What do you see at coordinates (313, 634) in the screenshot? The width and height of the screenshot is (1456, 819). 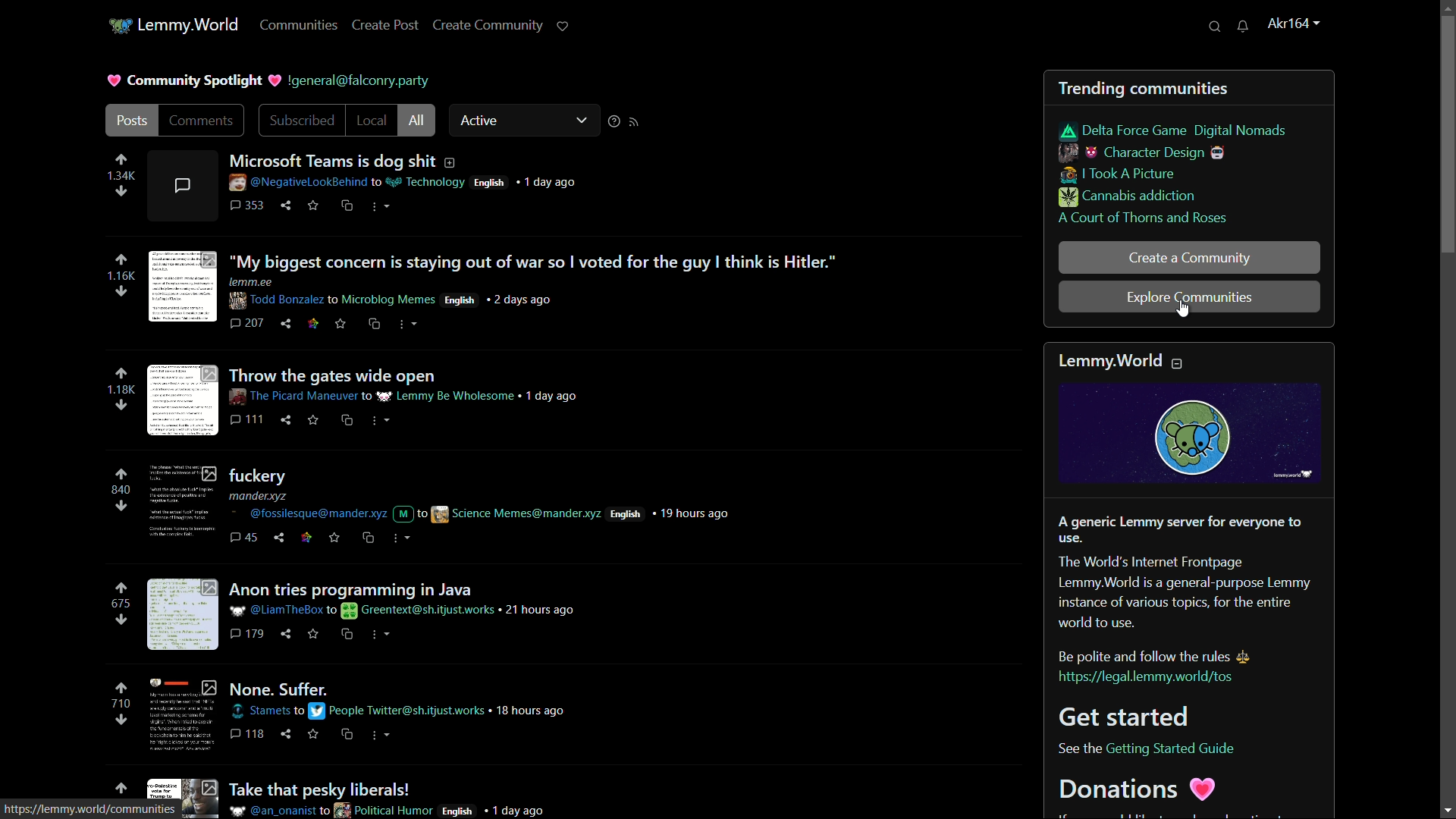 I see `save` at bounding box center [313, 634].